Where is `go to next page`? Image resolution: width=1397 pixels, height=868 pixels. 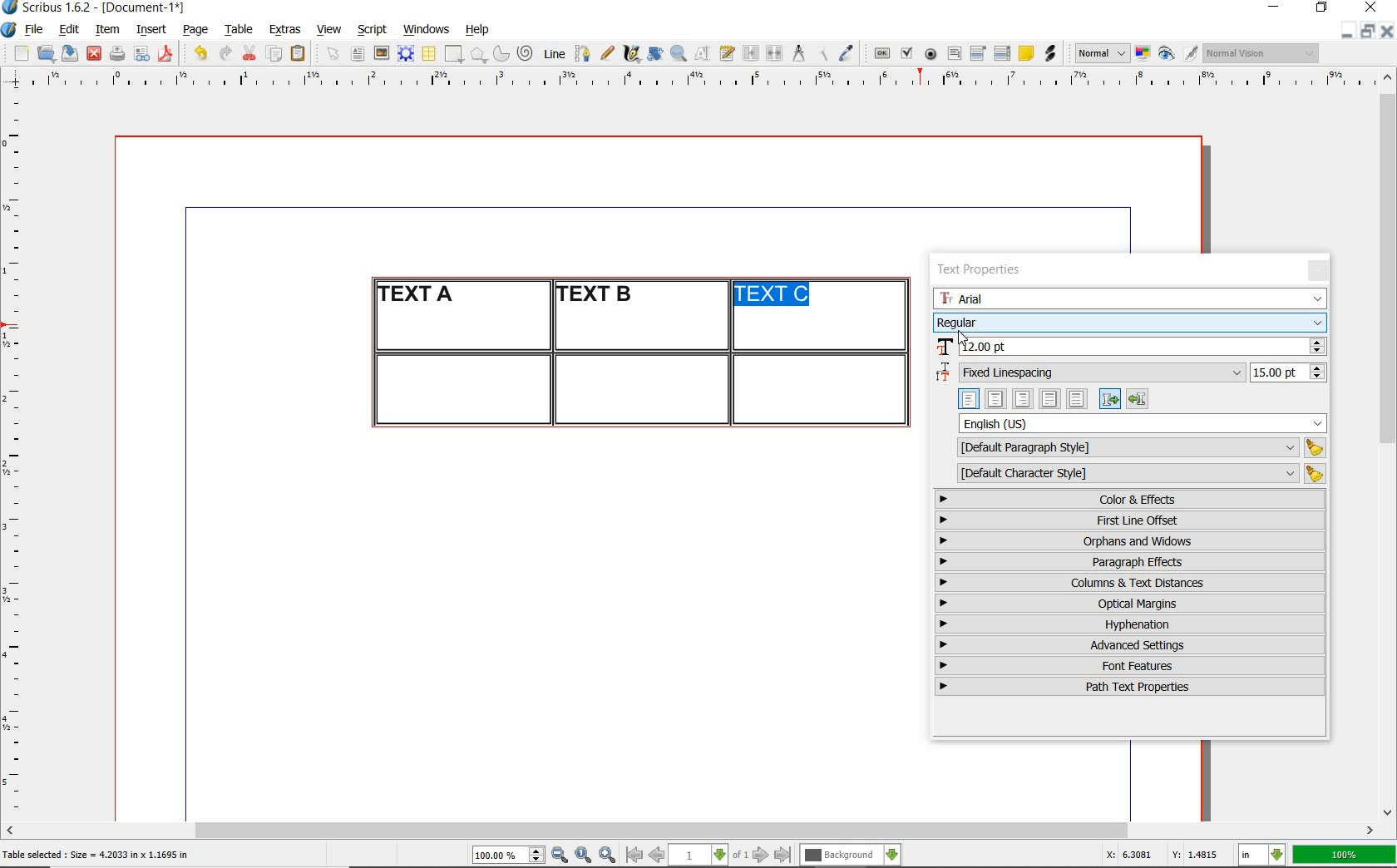 go to next page is located at coordinates (761, 856).